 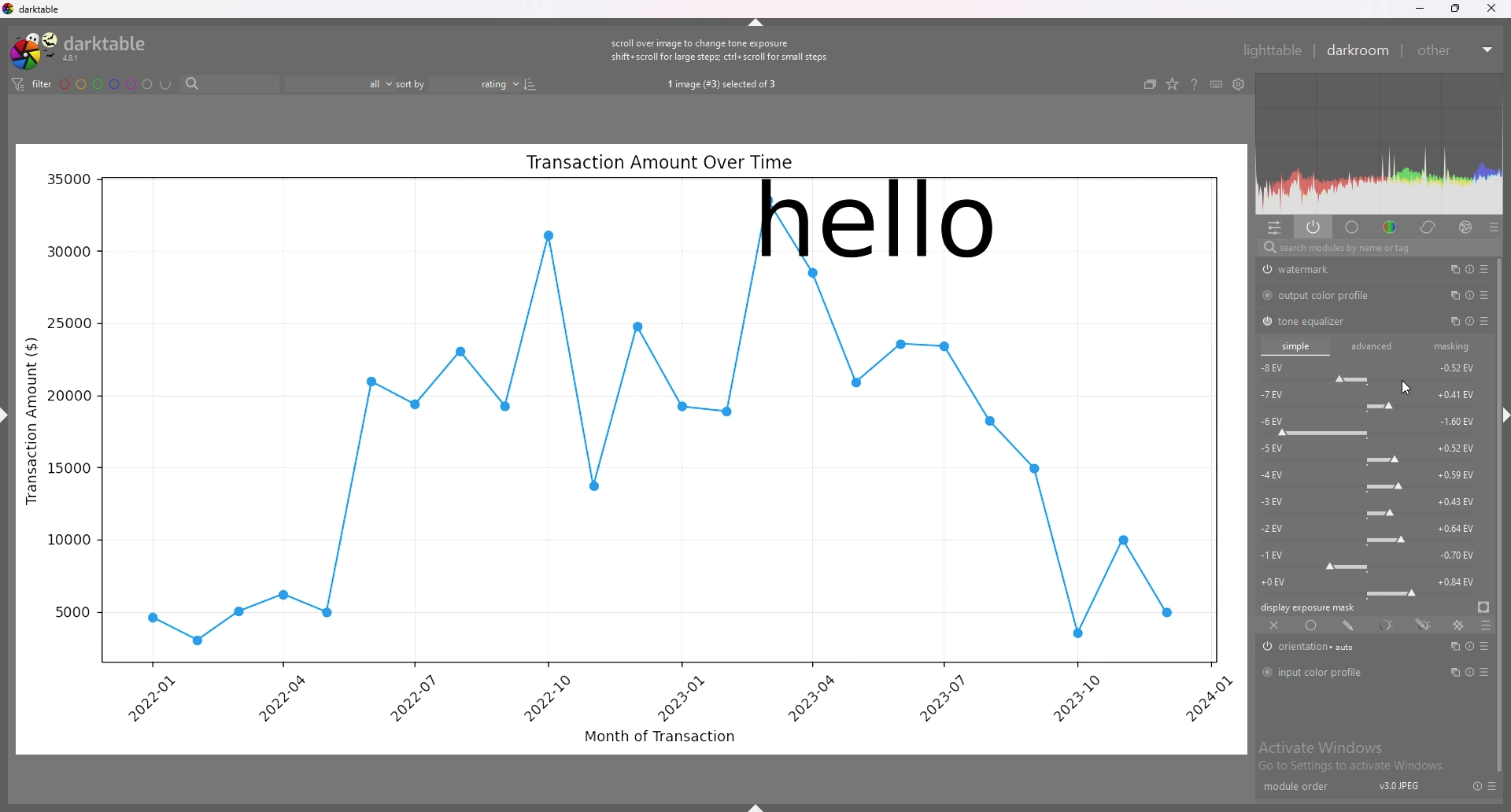 What do you see at coordinates (1274, 626) in the screenshot?
I see `off` at bounding box center [1274, 626].